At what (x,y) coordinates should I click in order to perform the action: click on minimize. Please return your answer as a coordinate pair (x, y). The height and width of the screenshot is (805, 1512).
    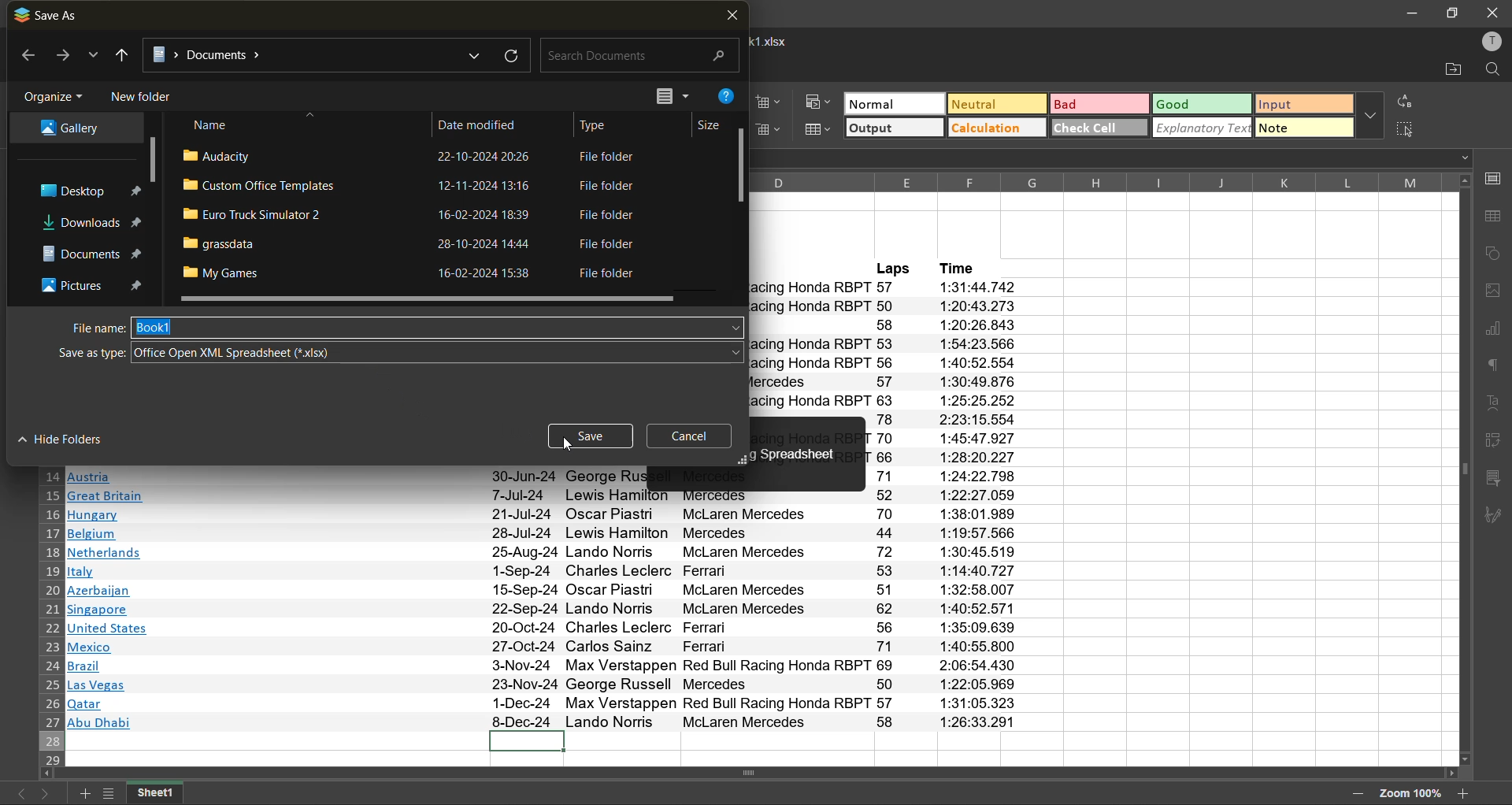
    Looking at the image, I should click on (1410, 13).